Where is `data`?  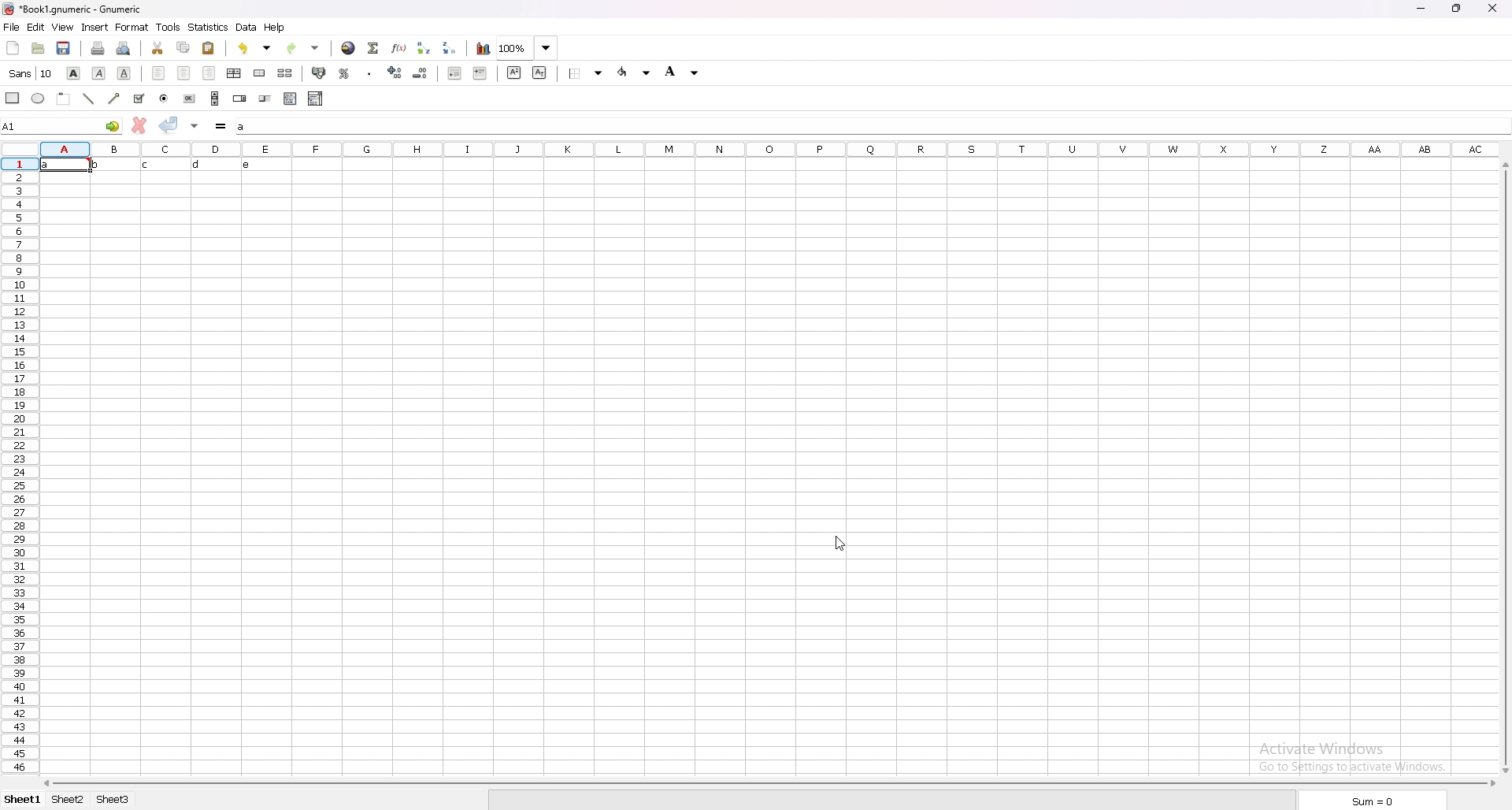 data is located at coordinates (248, 27).